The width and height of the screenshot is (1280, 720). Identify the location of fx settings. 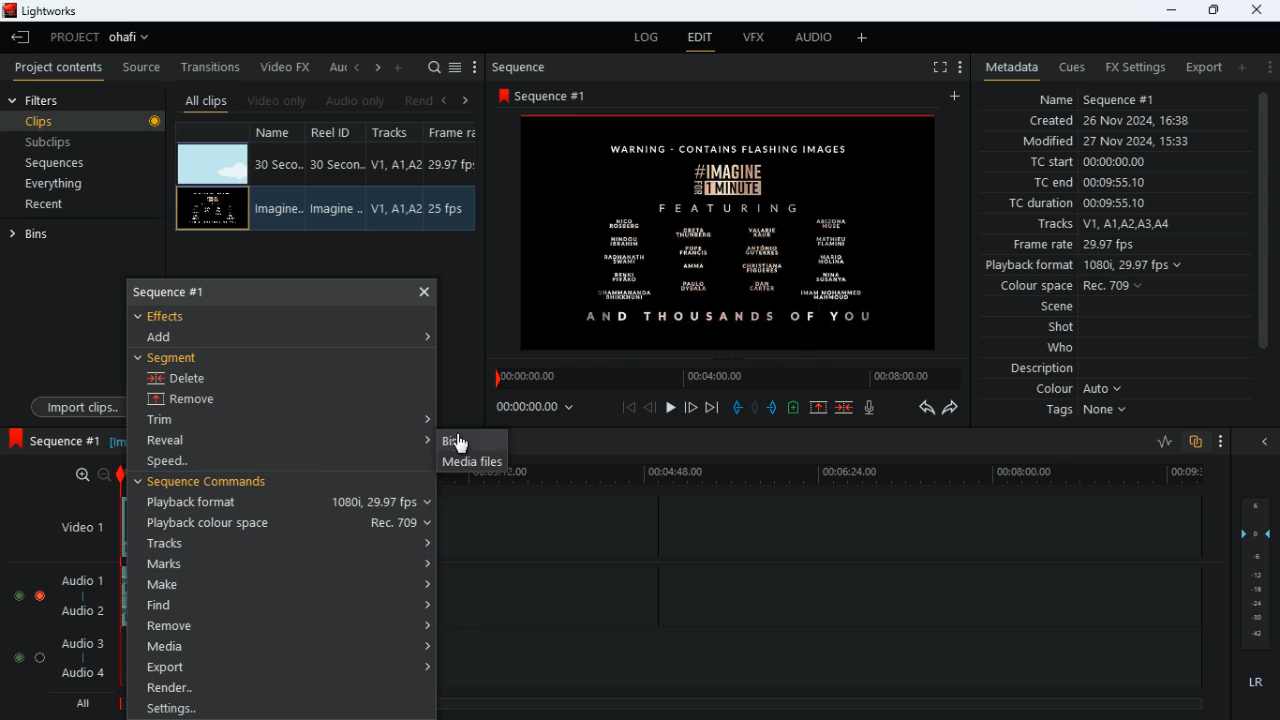
(1133, 65).